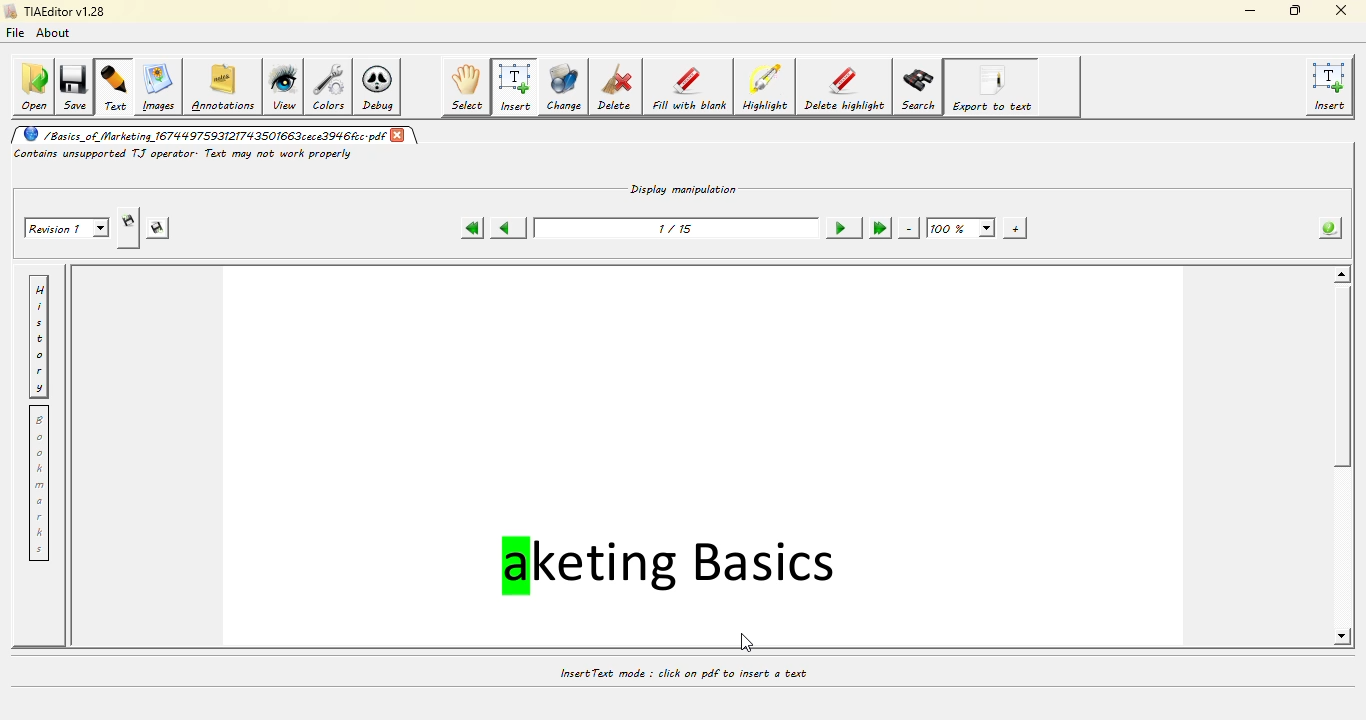 The height and width of the screenshot is (720, 1366). Describe the element at coordinates (684, 672) in the screenshot. I see `Insert Text mode : click on pdf to insert a text` at that location.